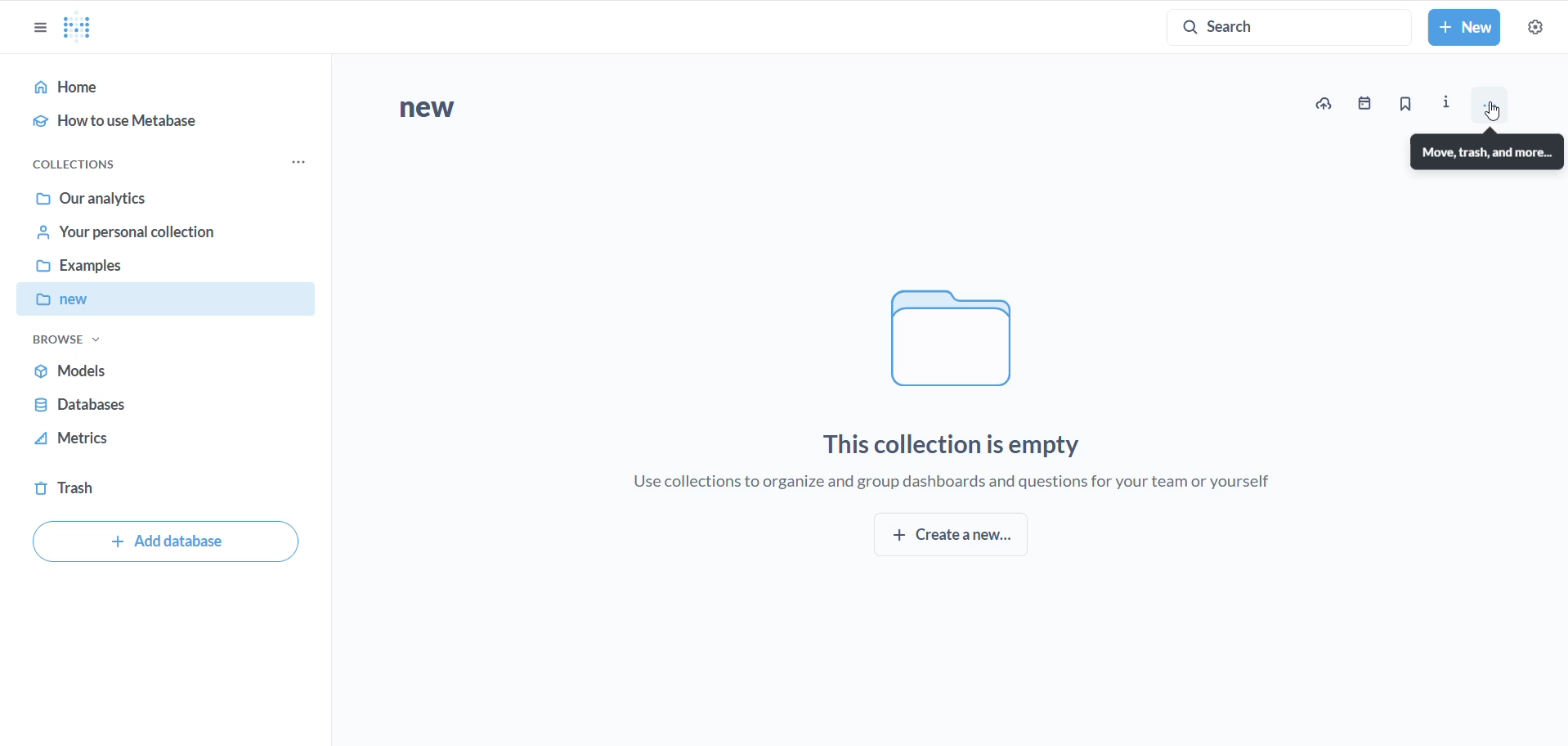 The image size is (1568, 746). I want to click on how to use metabase, so click(155, 125).